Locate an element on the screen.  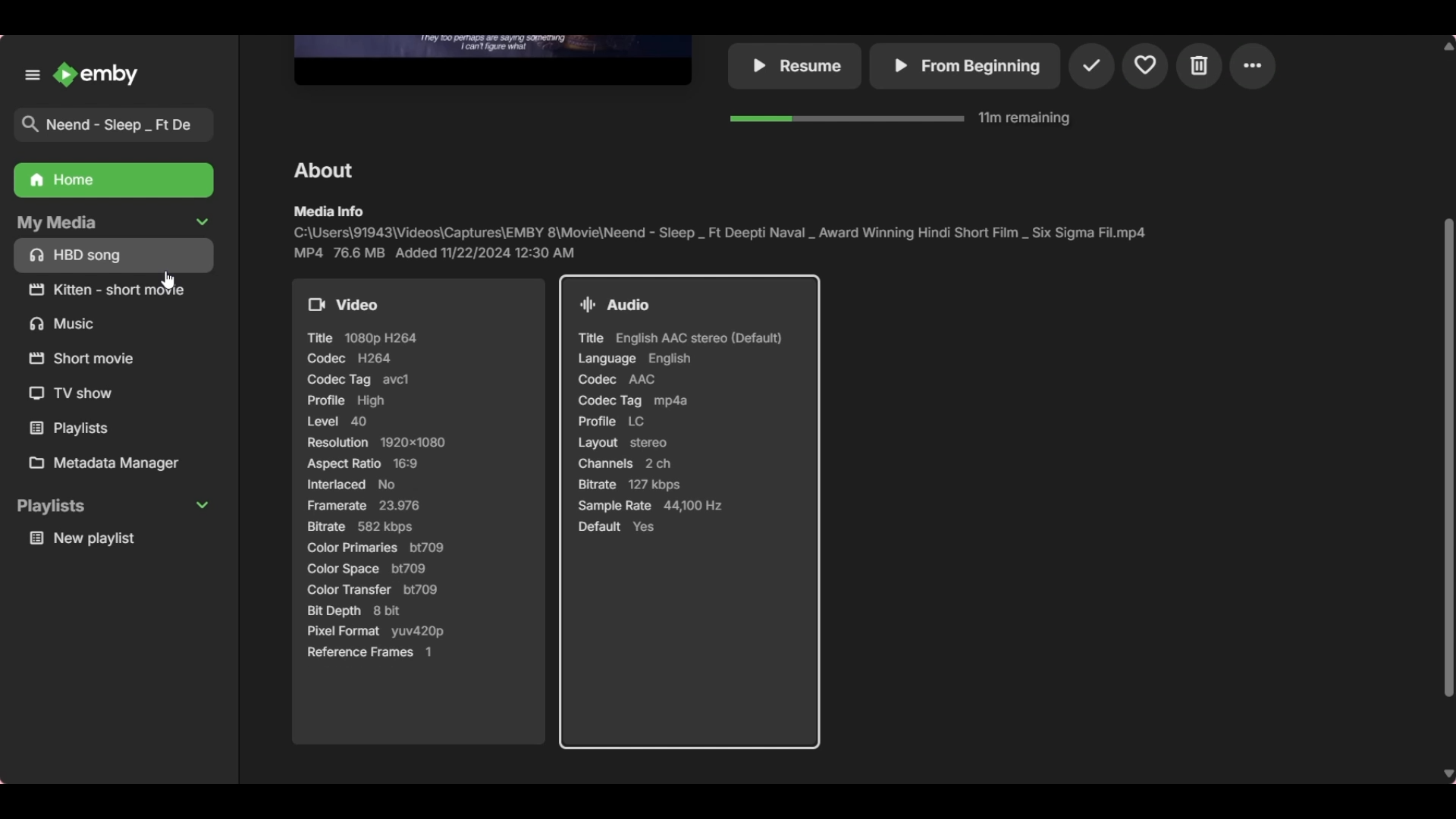
 is located at coordinates (1094, 65).